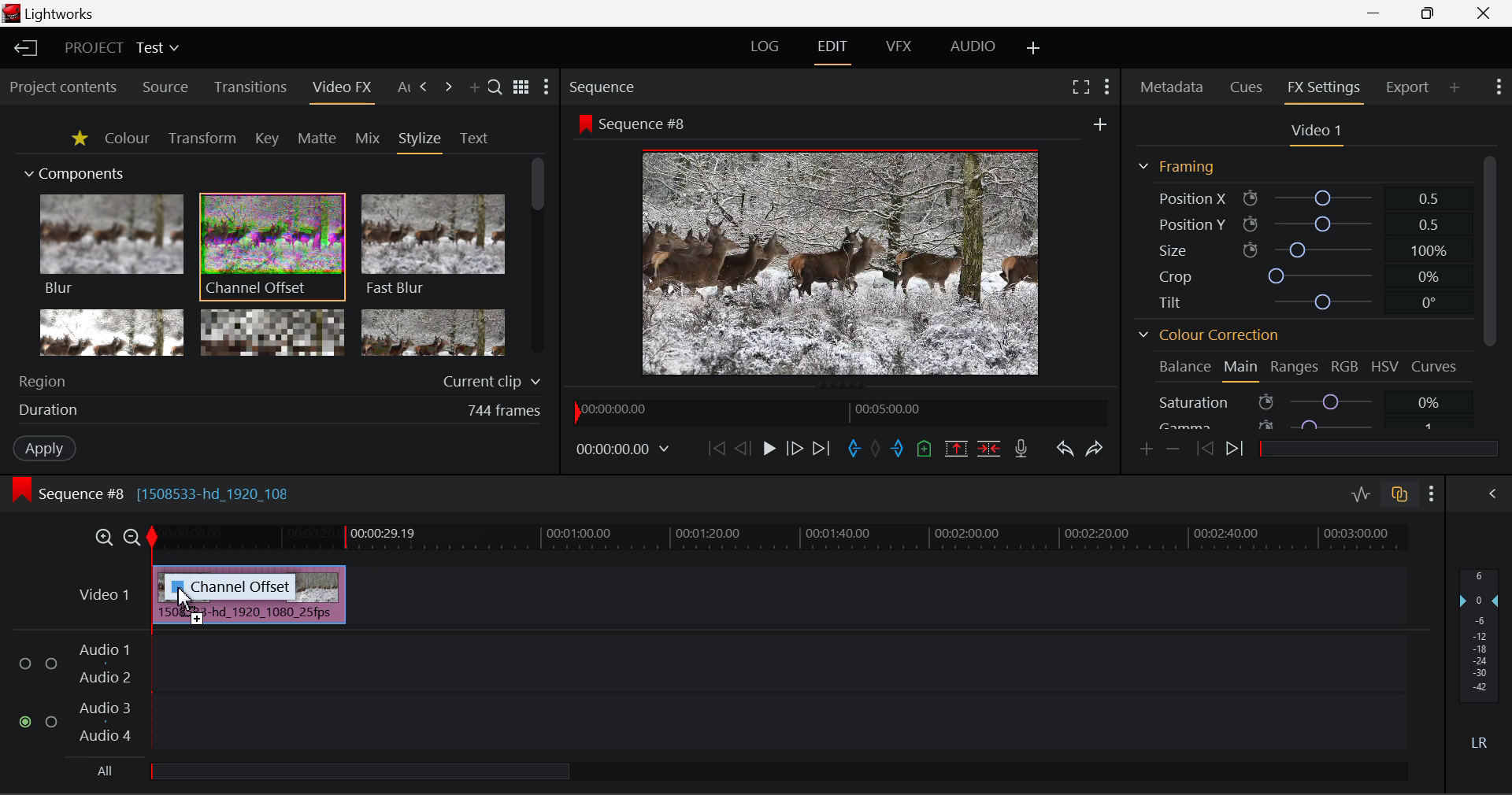 The width and height of the screenshot is (1512, 795). What do you see at coordinates (1240, 369) in the screenshot?
I see `Main Tab Open` at bounding box center [1240, 369].